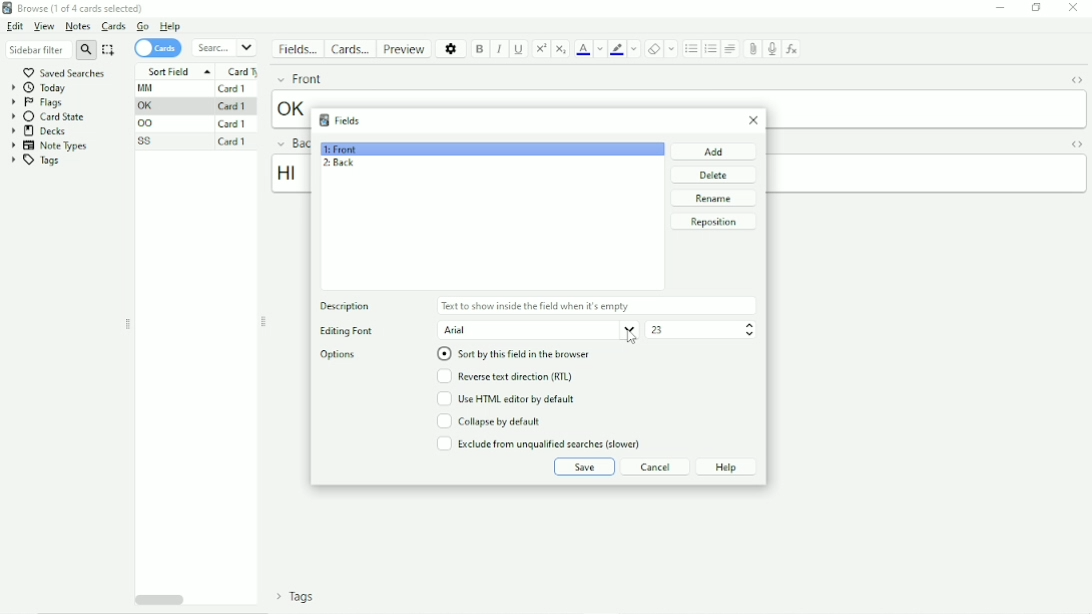 The image size is (1092, 614). Describe the element at coordinates (713, 222) in the screenshot. I see `Reposition` at that location.